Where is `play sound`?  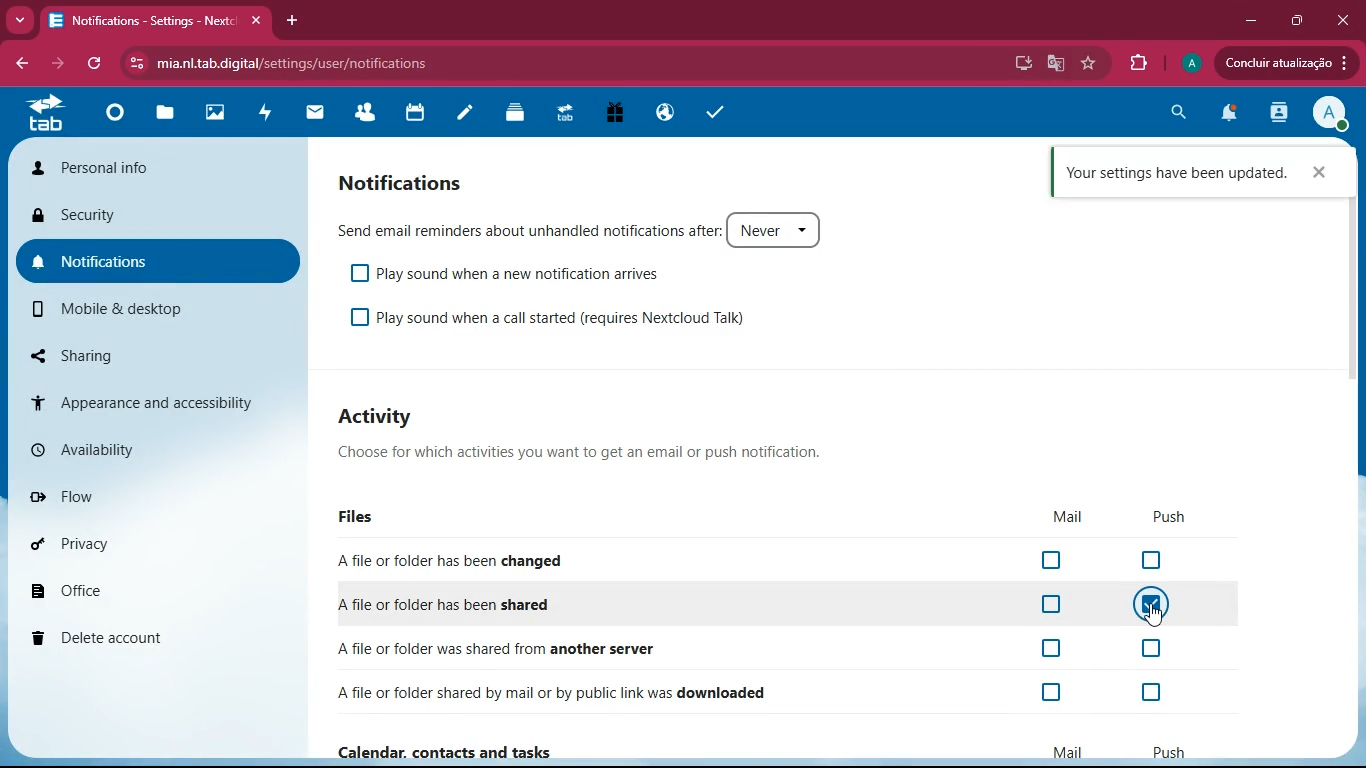
play sound is located at coordinates (510, 274).